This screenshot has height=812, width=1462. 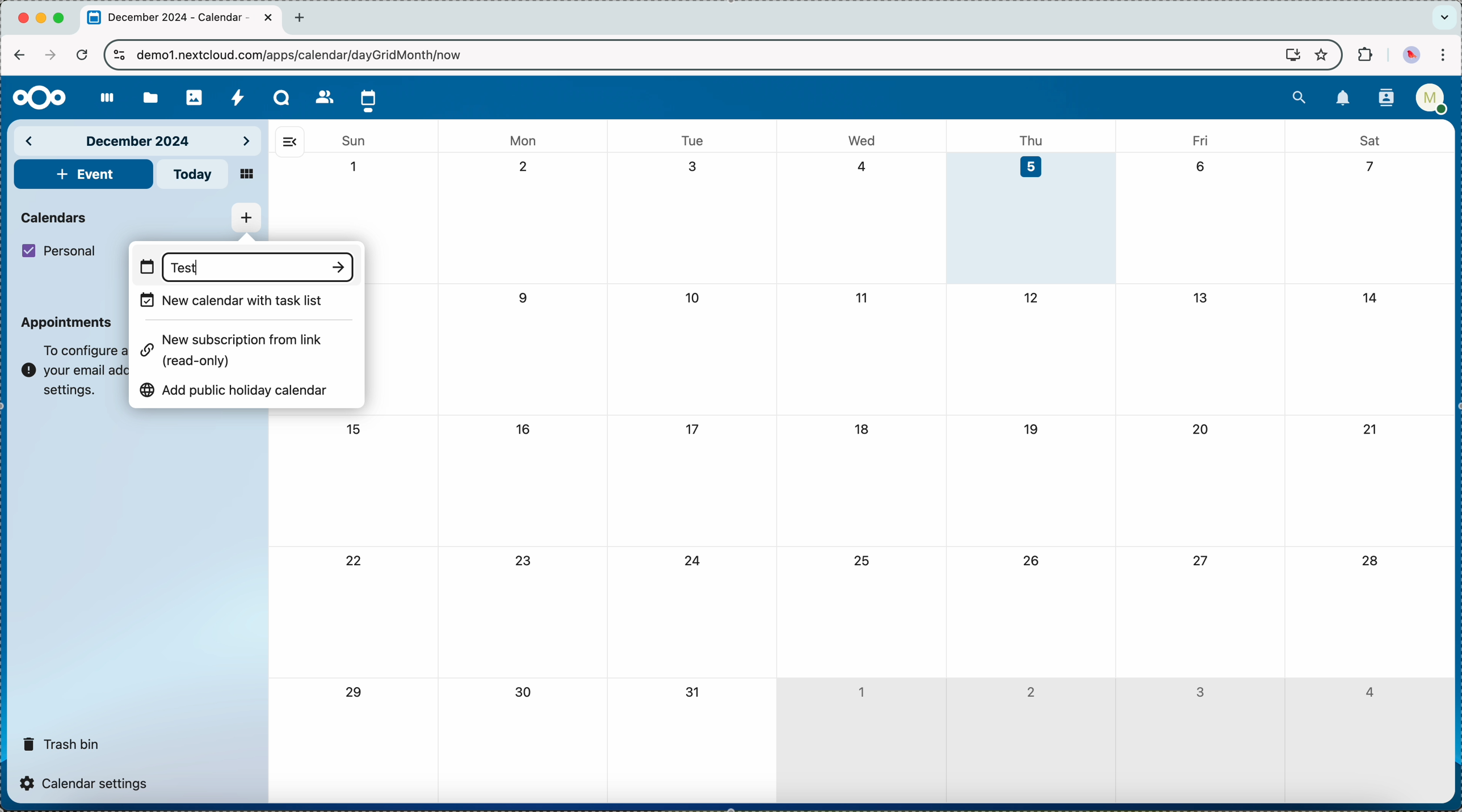 I want to click on day 5 selected, so click(x=1032, y=218).